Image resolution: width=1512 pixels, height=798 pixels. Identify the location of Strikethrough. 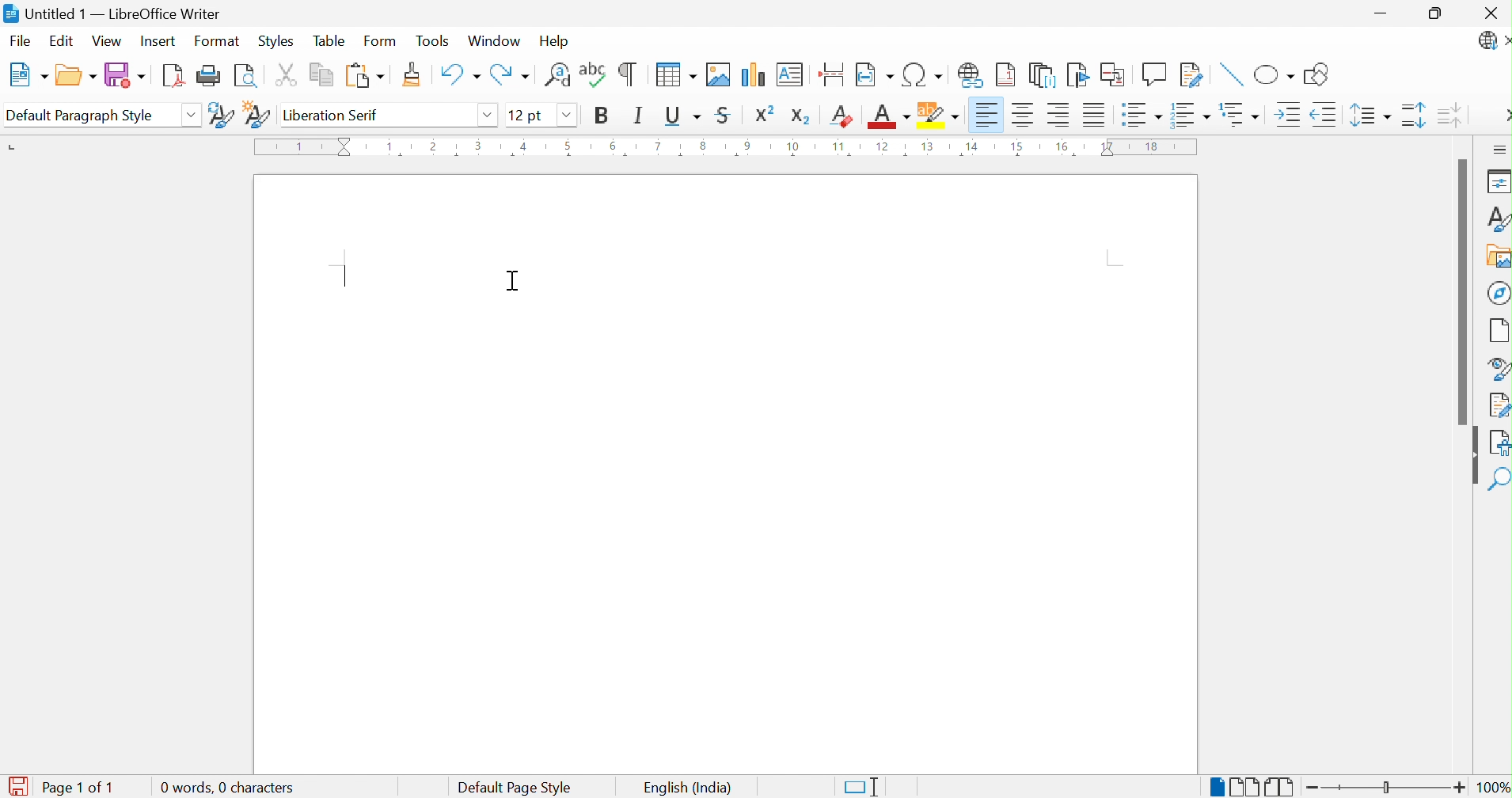
(725, 113).